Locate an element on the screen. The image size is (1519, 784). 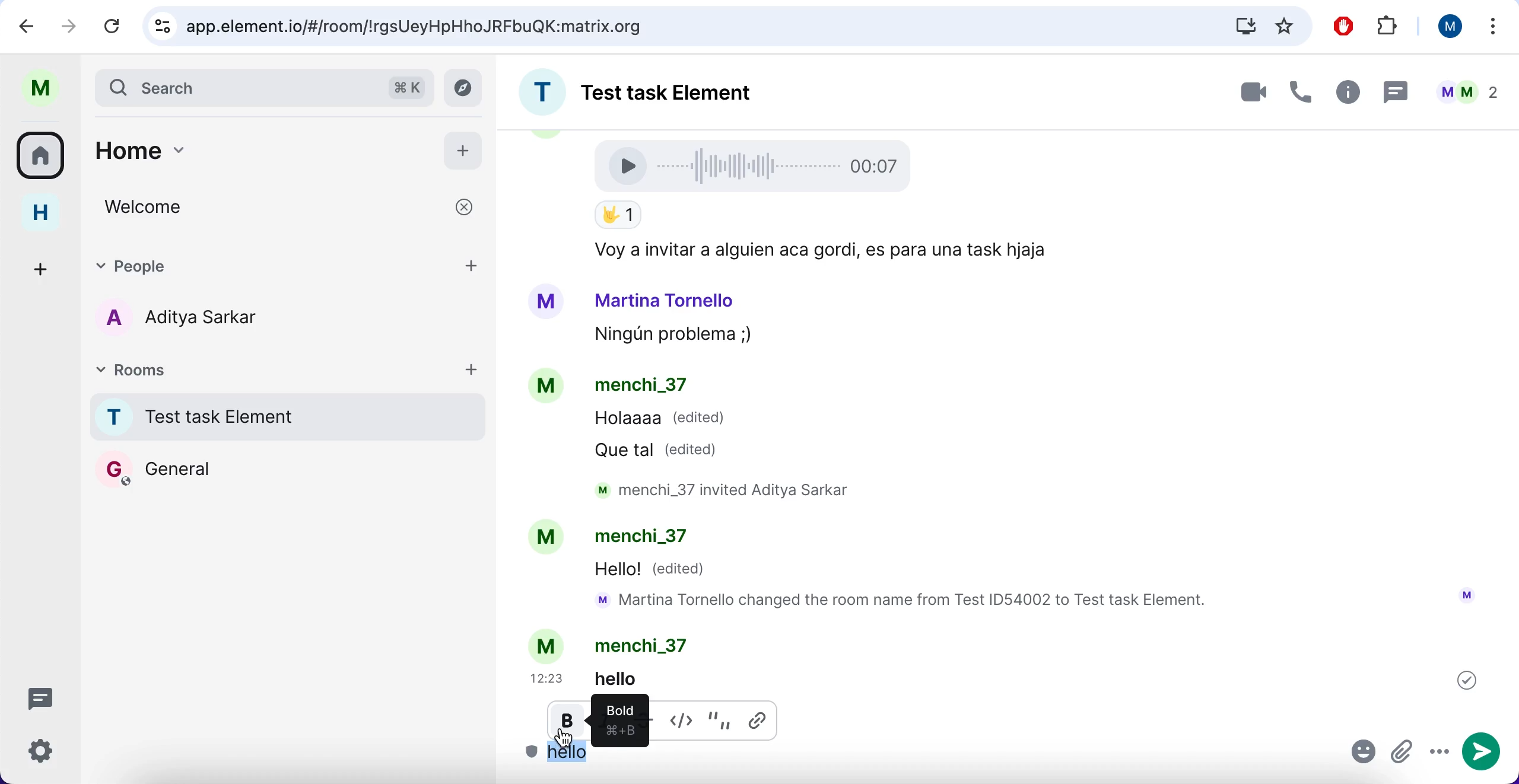
Martina Tornello is located at coordinates (665, 299).